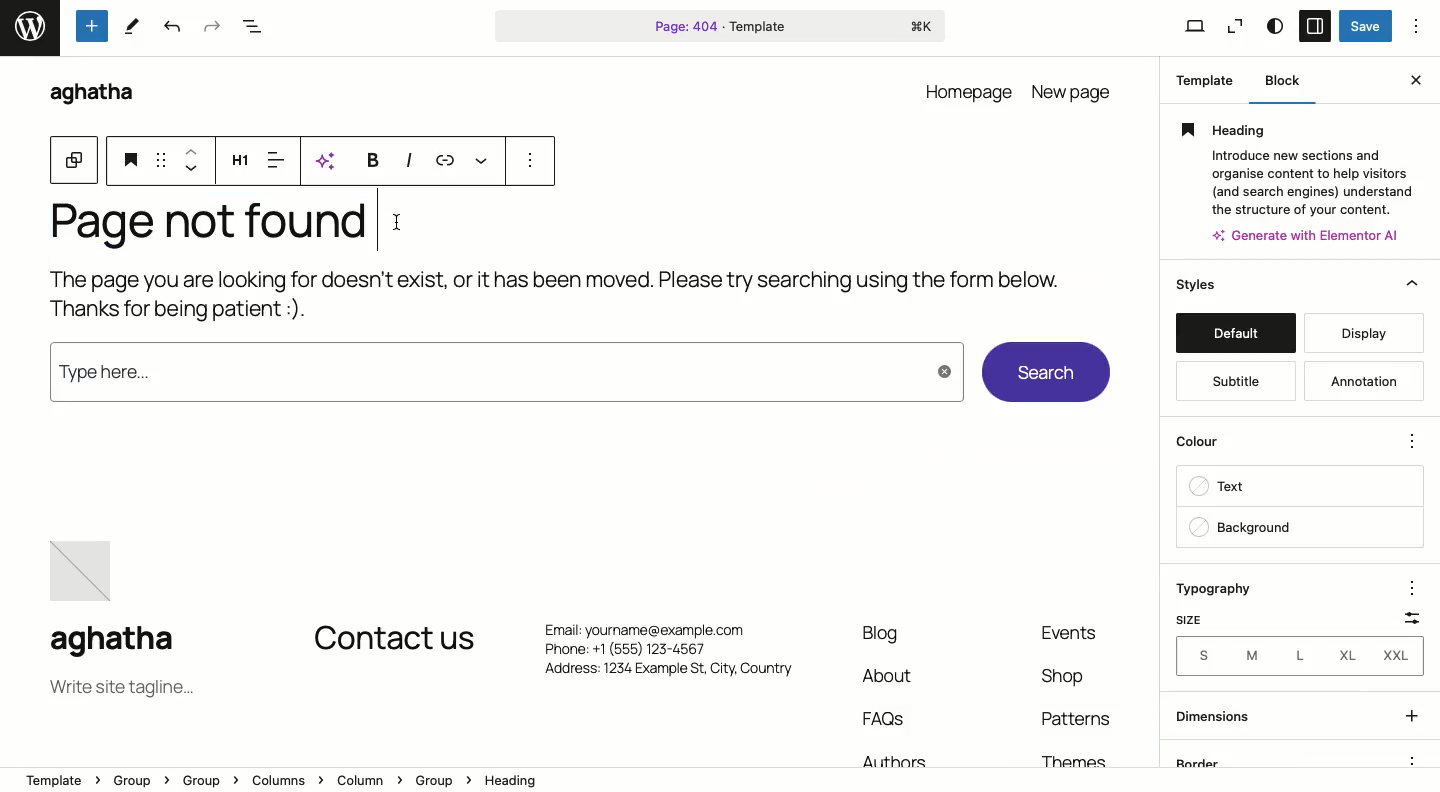 The width and height of the screenshot is (1440, 792). What do you see at coordinates (1184, 25) in the screenshot?
I see `View` at bounding box center [1184, 25].